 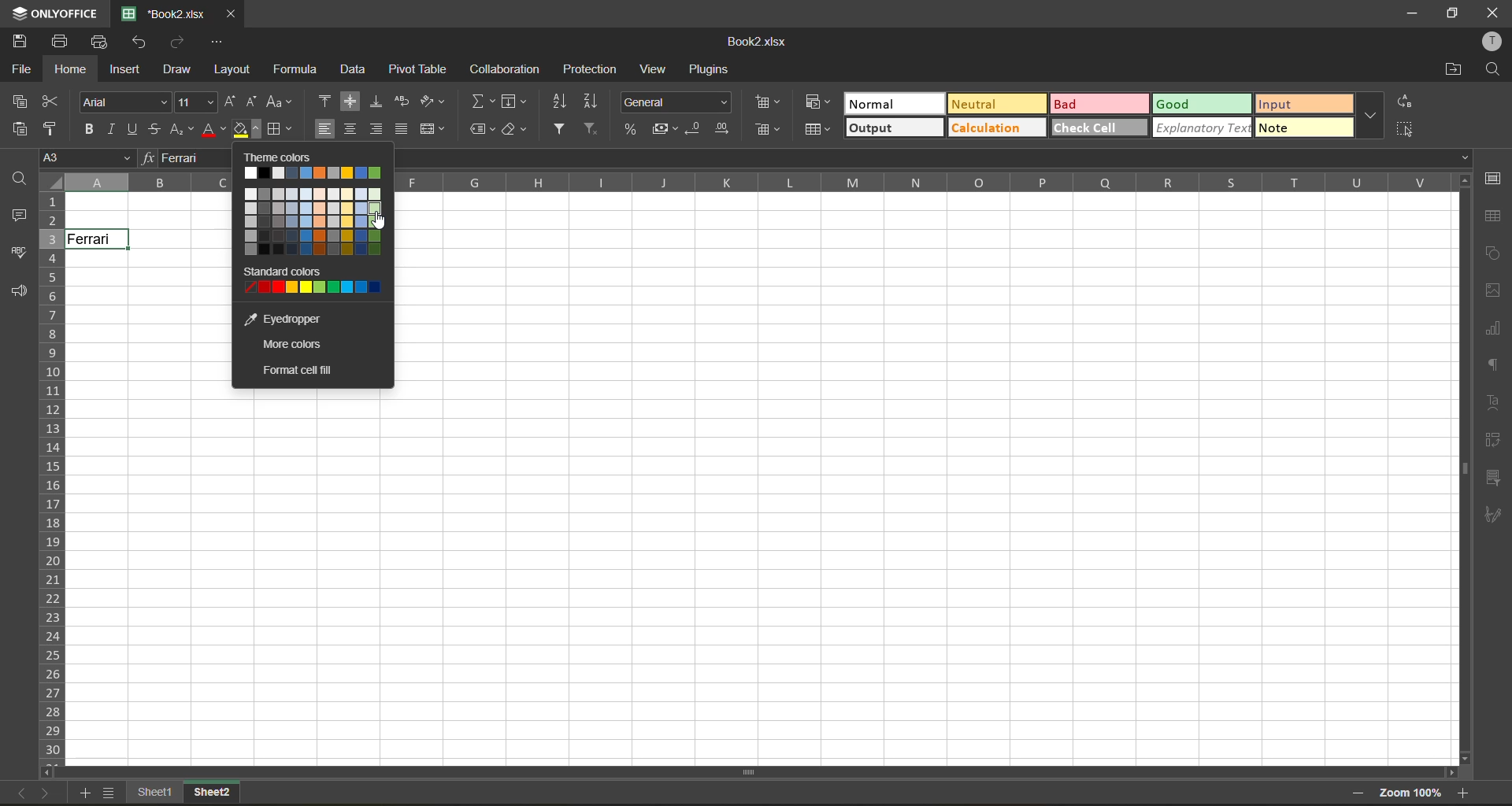 What do you see at coordinates (1491, 13) in the screenshot?
I see `close` at bounding box center [1491, 13].